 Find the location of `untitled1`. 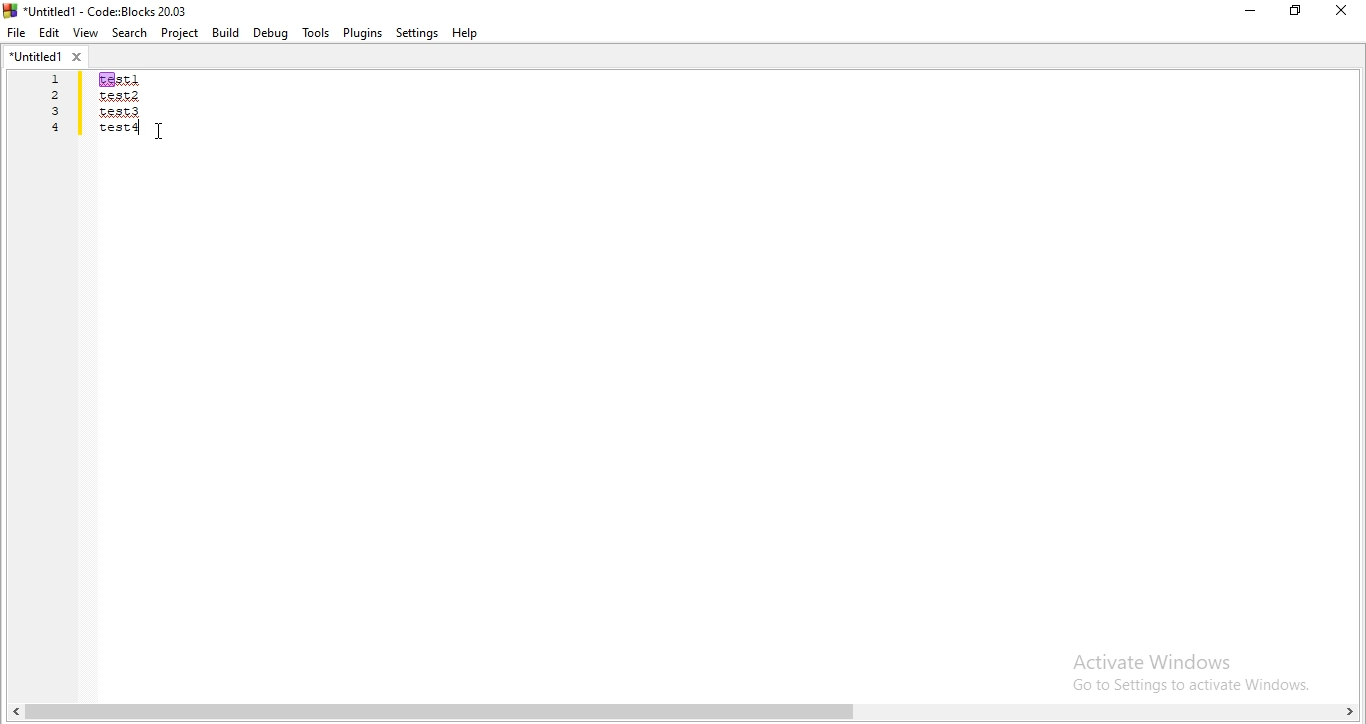

untitled1 is located at coordinates (46, 55).